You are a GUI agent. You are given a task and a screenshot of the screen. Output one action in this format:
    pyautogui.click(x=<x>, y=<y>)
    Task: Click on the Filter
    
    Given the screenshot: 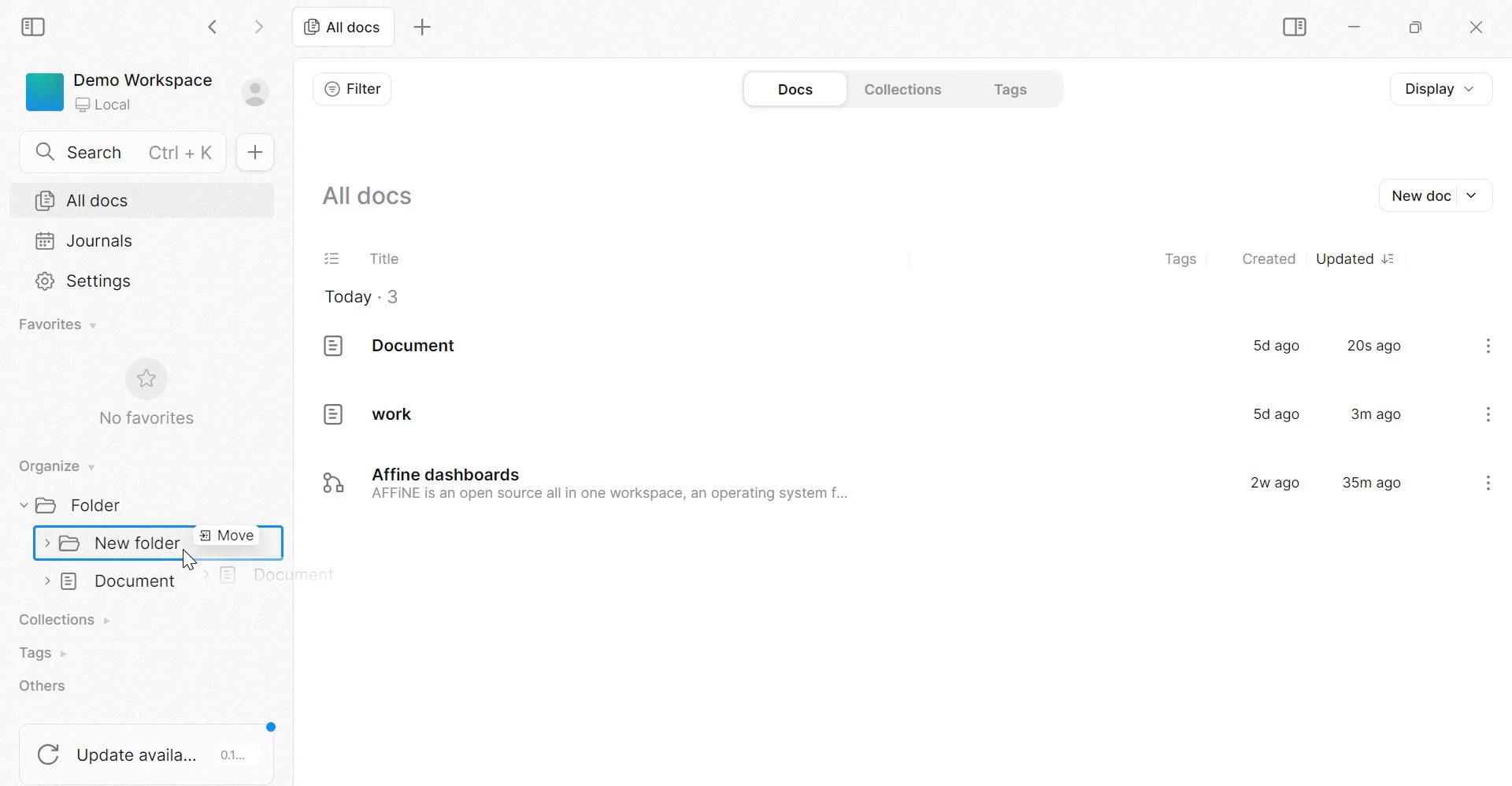 What is the action you would take?
    pyautogui.click(x=354, y=87)
    